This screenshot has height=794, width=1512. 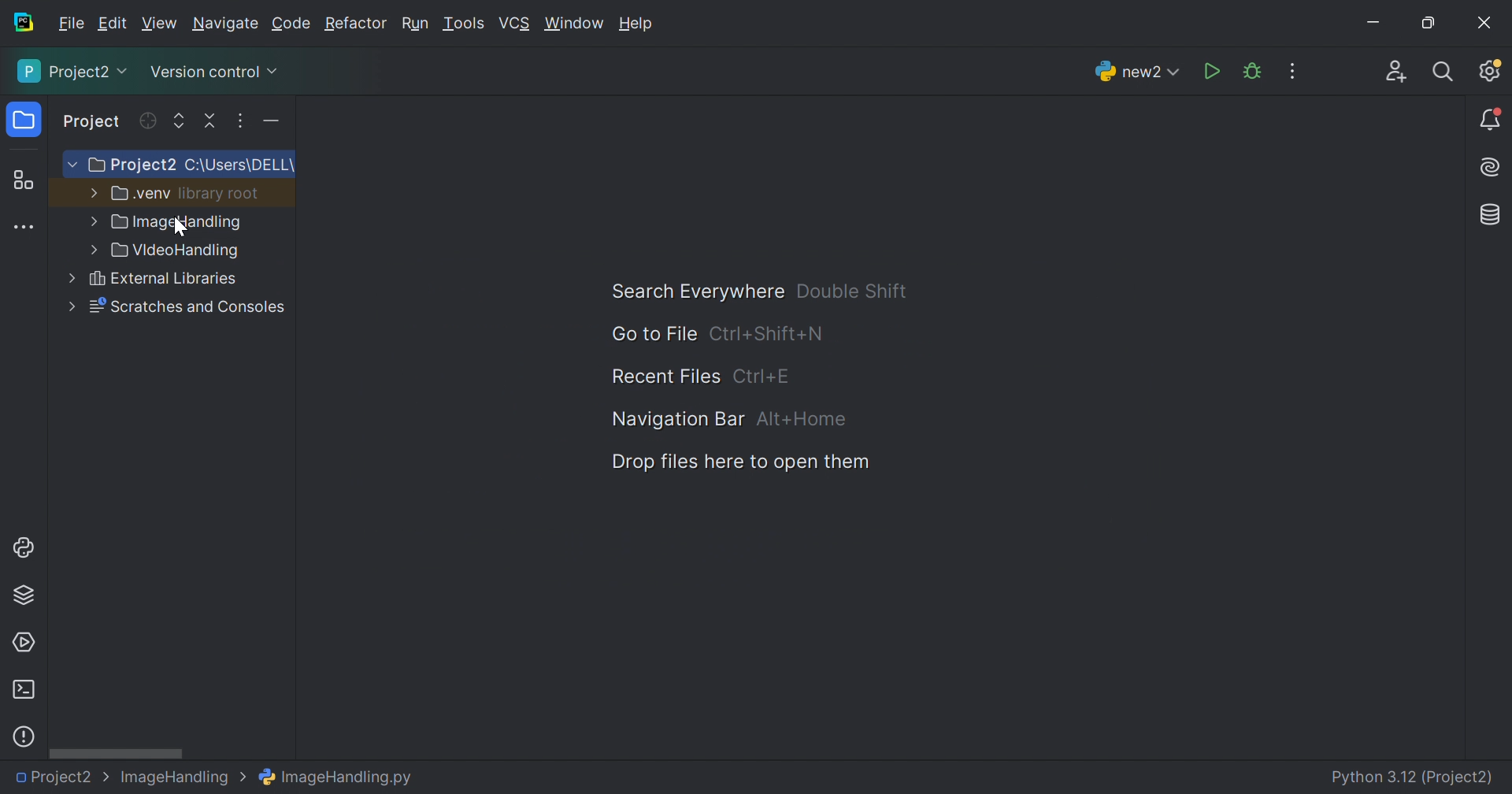 What do you see at coordinates (161, 24) in the screenshot?
I see `View` at bounding box center [161, 24].